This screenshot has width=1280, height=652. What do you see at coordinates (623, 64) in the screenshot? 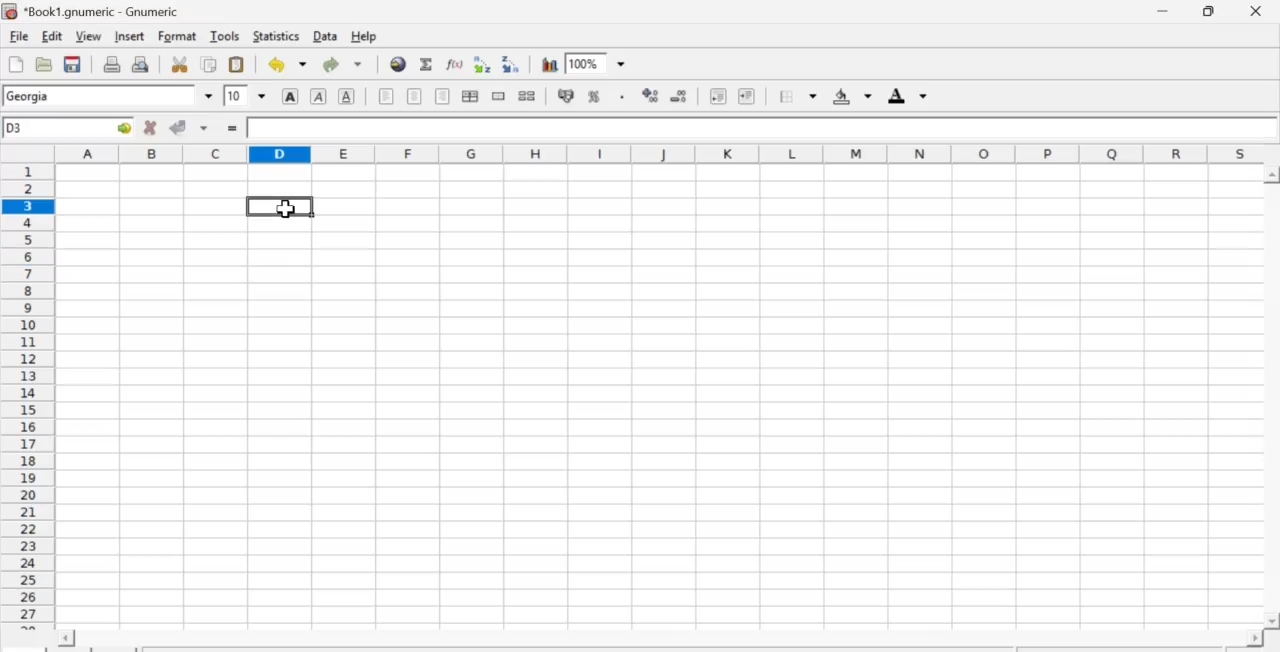
I see `down` at bounding box center [623, 64].